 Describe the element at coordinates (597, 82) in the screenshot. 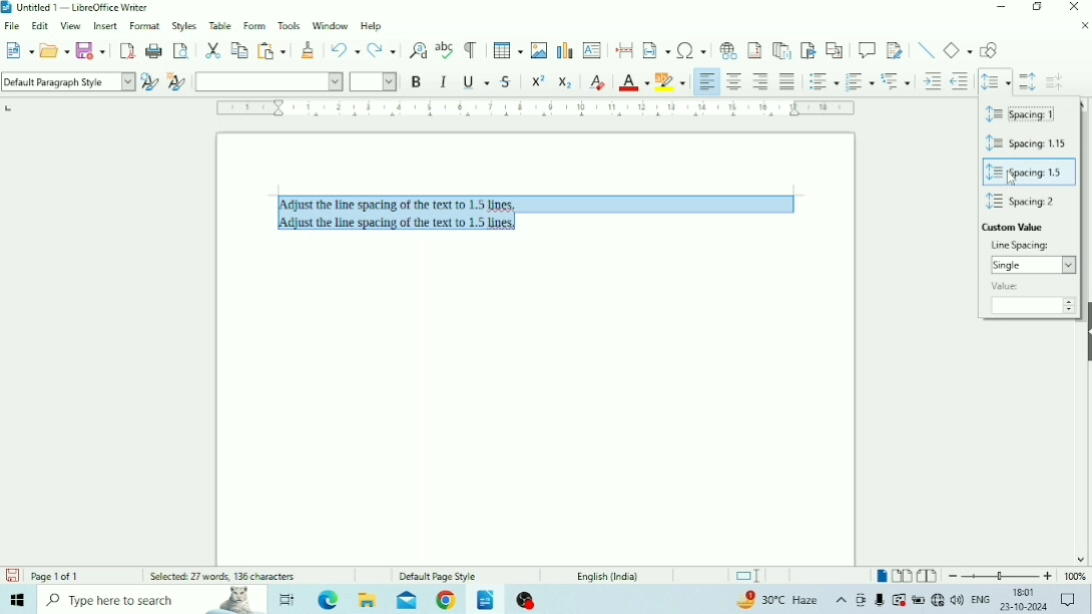

I see `Clear Direct Formatting` at that location.